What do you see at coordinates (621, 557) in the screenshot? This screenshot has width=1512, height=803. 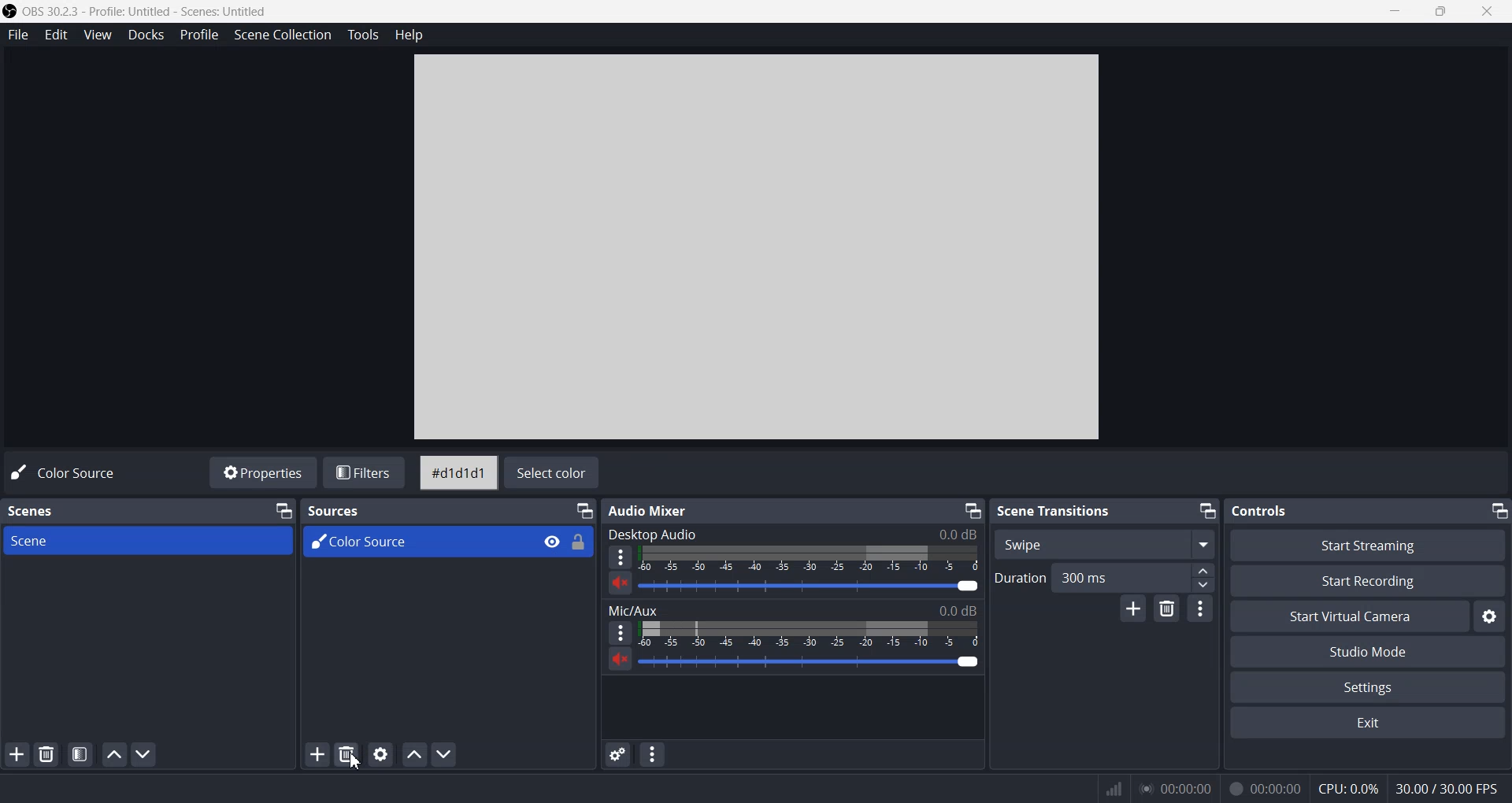 I see `More` at bounding box center [621, 557].